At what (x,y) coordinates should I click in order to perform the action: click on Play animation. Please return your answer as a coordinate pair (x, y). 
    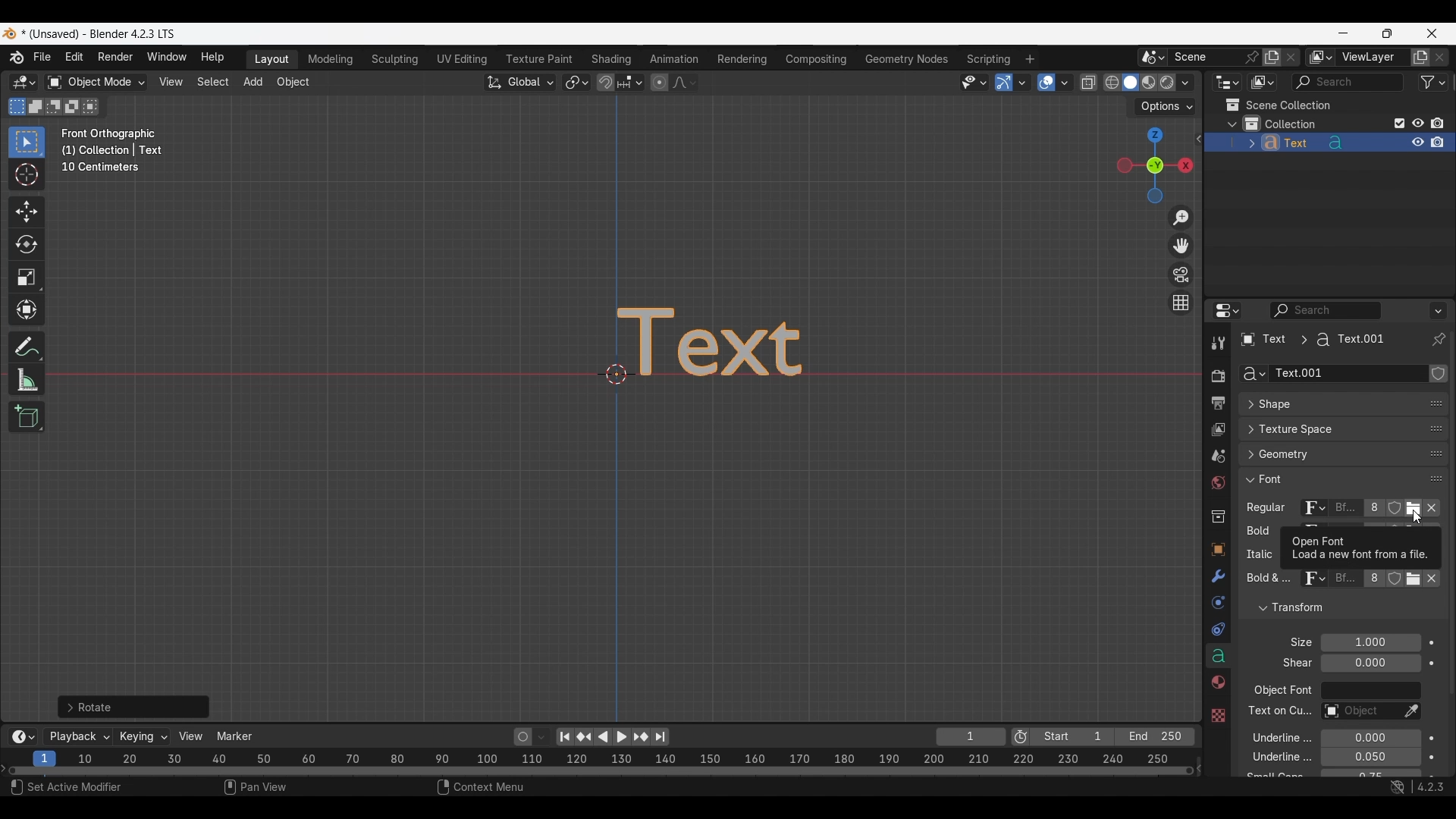
    Looking at the image, I should click on (611, 737).